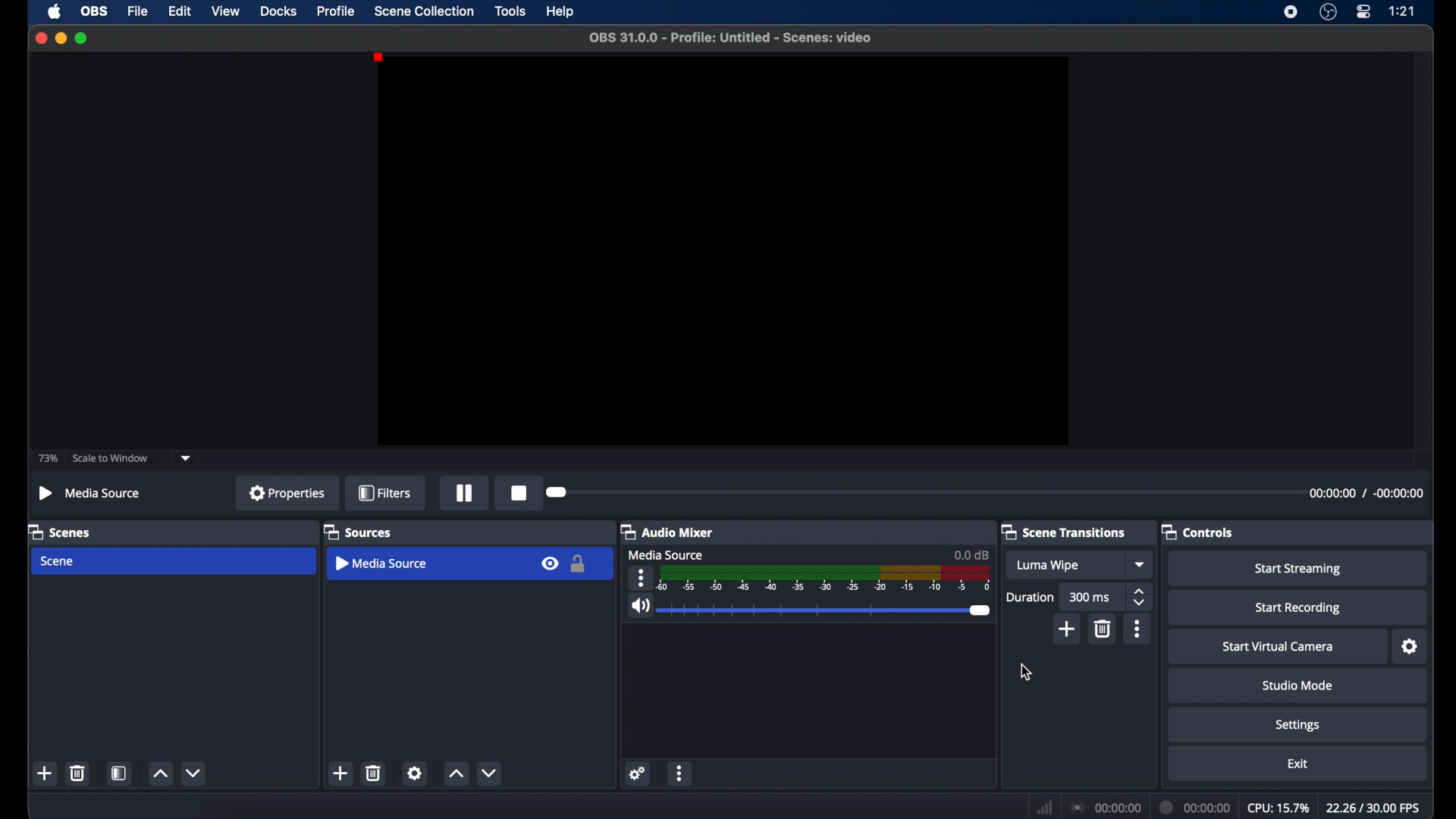  Describe the element at coordinates (464, 493) in the screenshot. I see `pause` at that location.